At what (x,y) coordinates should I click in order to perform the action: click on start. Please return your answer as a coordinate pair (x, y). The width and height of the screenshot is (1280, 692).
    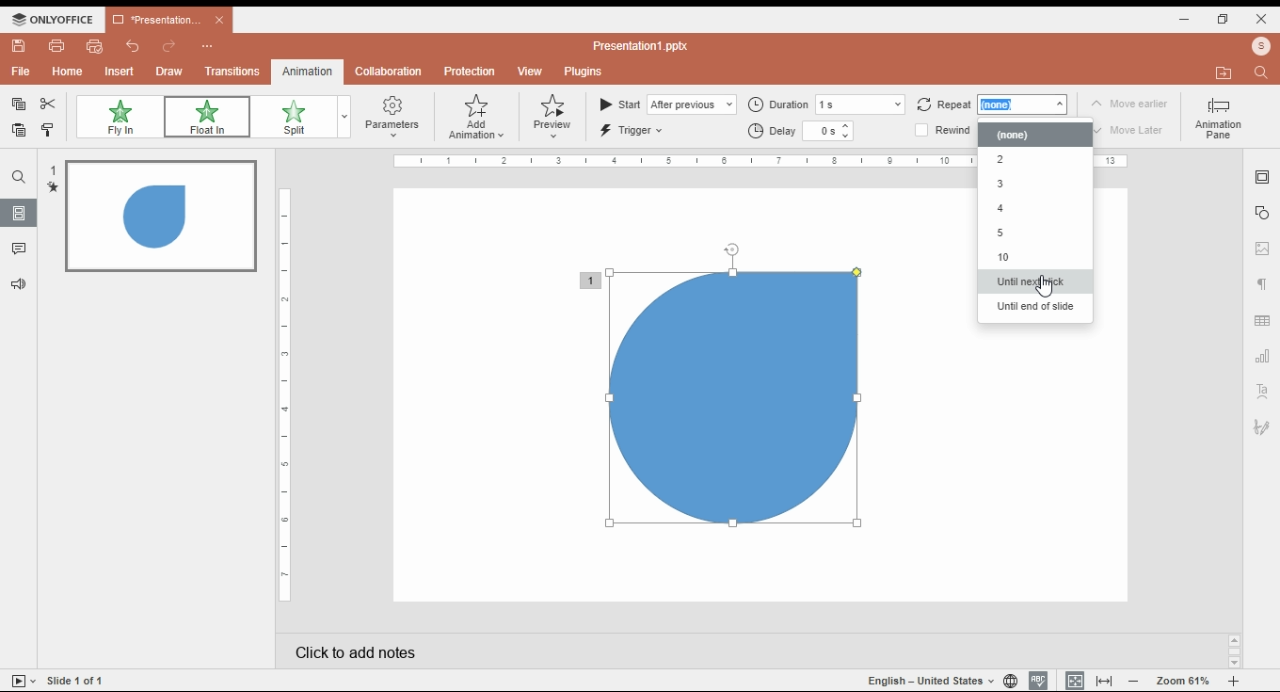
    Looking at the image, I should click on (667, 104).